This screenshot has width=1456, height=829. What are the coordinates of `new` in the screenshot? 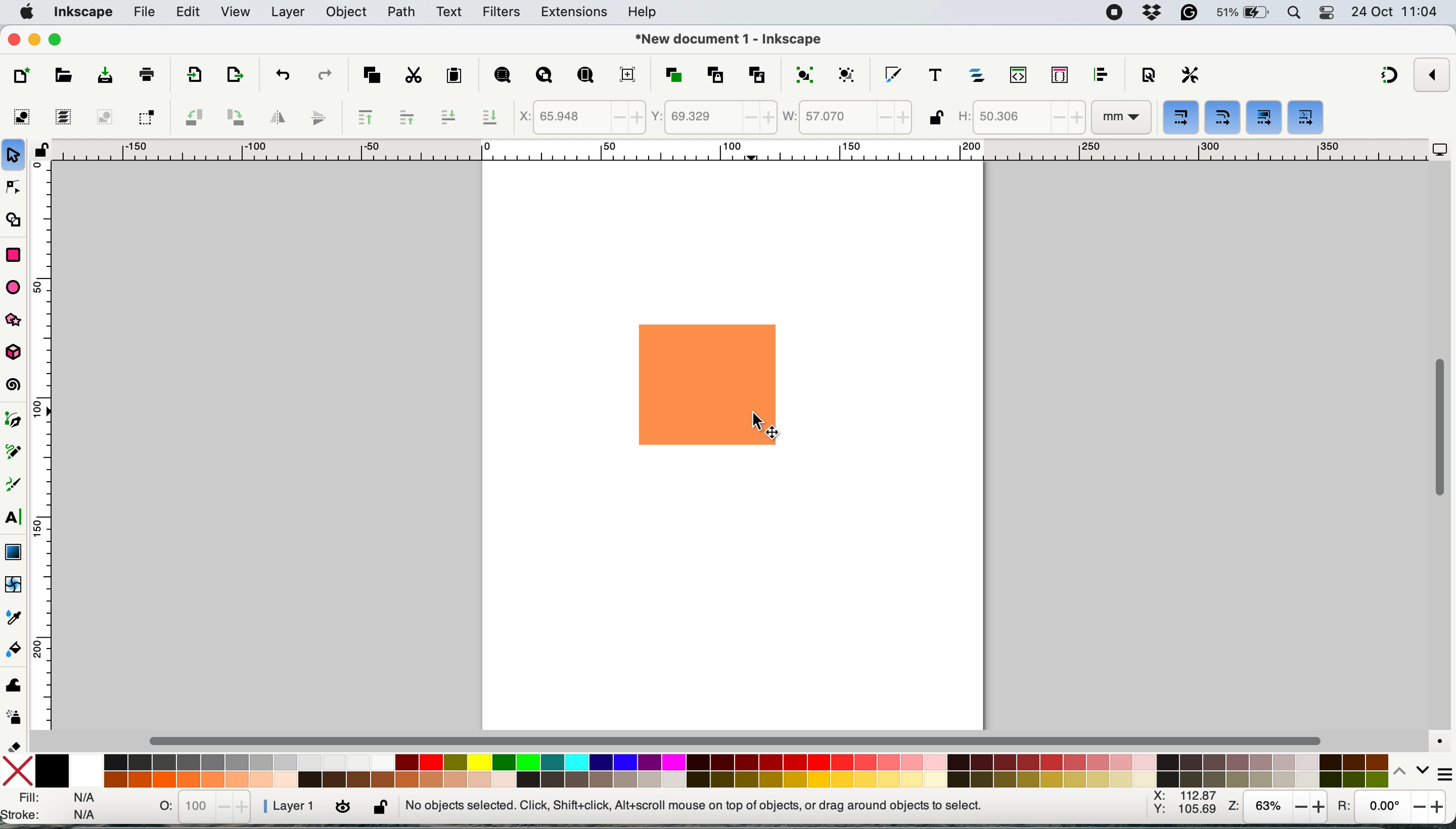 It's located at (24, 76).